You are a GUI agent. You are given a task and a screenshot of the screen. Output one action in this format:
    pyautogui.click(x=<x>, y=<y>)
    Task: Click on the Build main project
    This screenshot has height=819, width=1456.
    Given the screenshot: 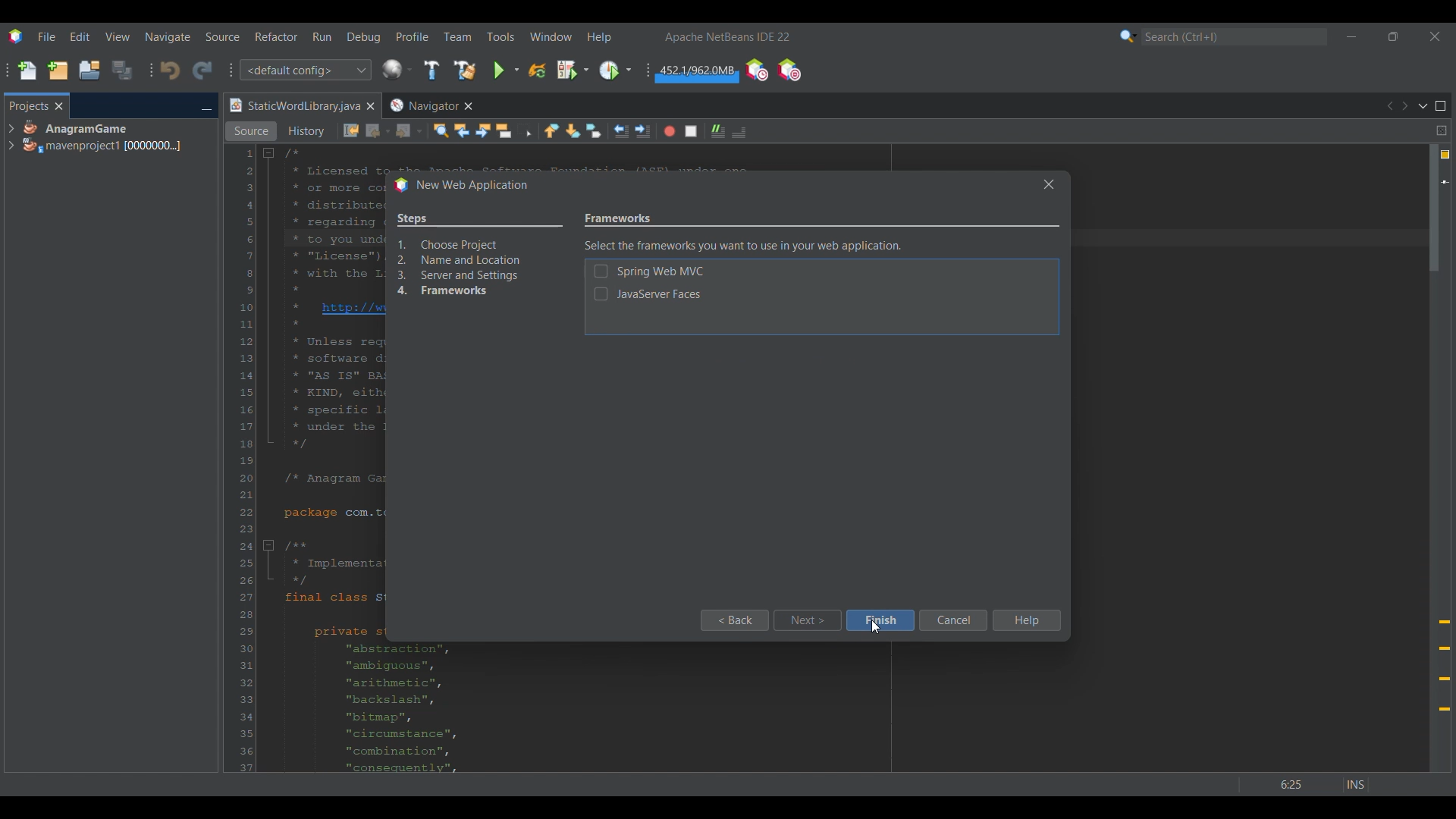 What is the action you would take?
    pyautogui.click(x=431, y=70)
    